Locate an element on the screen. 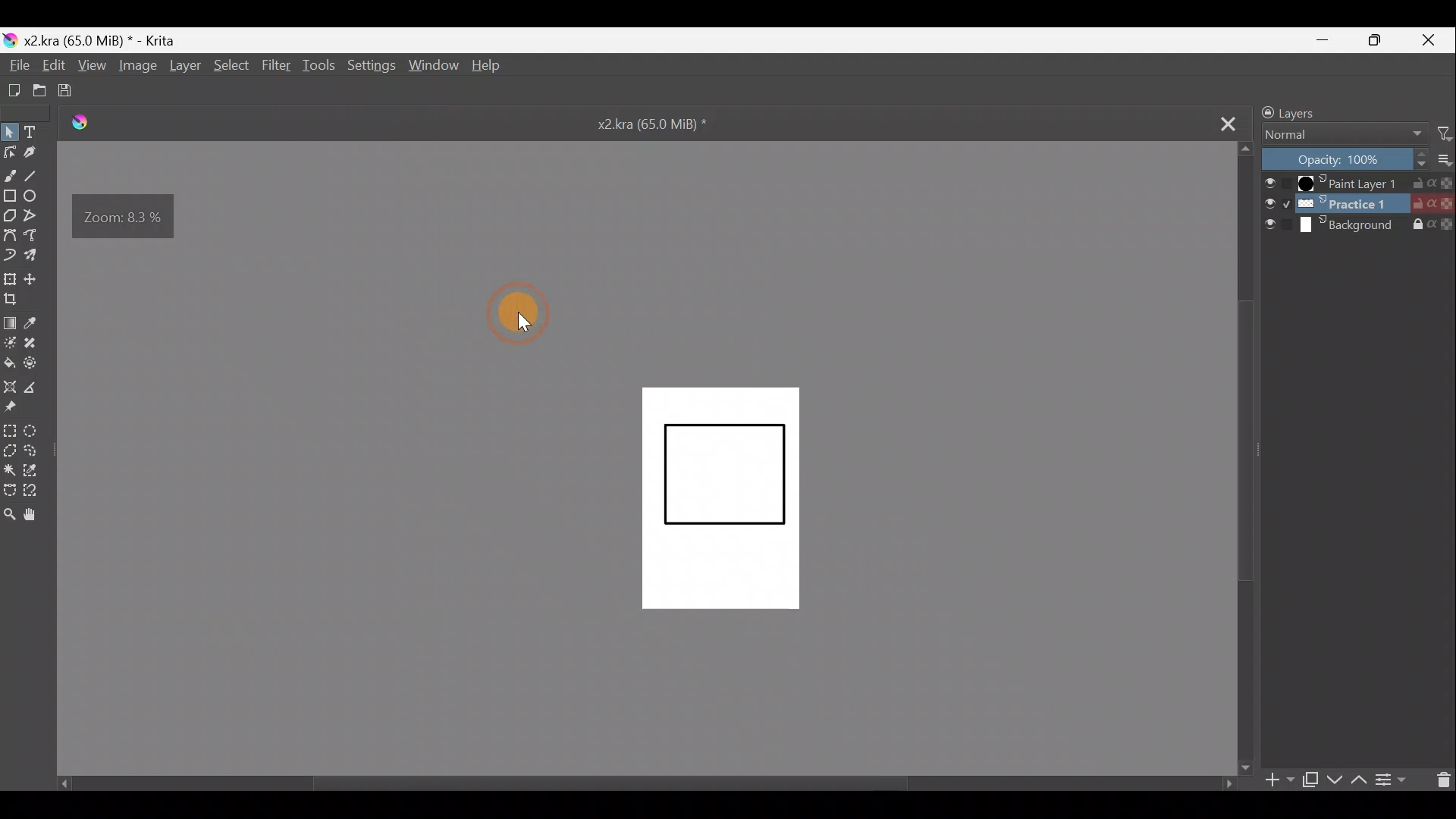 This screenshot has height=819, width=1456. Measure the distance between two points is located at coordinates (37, 388).